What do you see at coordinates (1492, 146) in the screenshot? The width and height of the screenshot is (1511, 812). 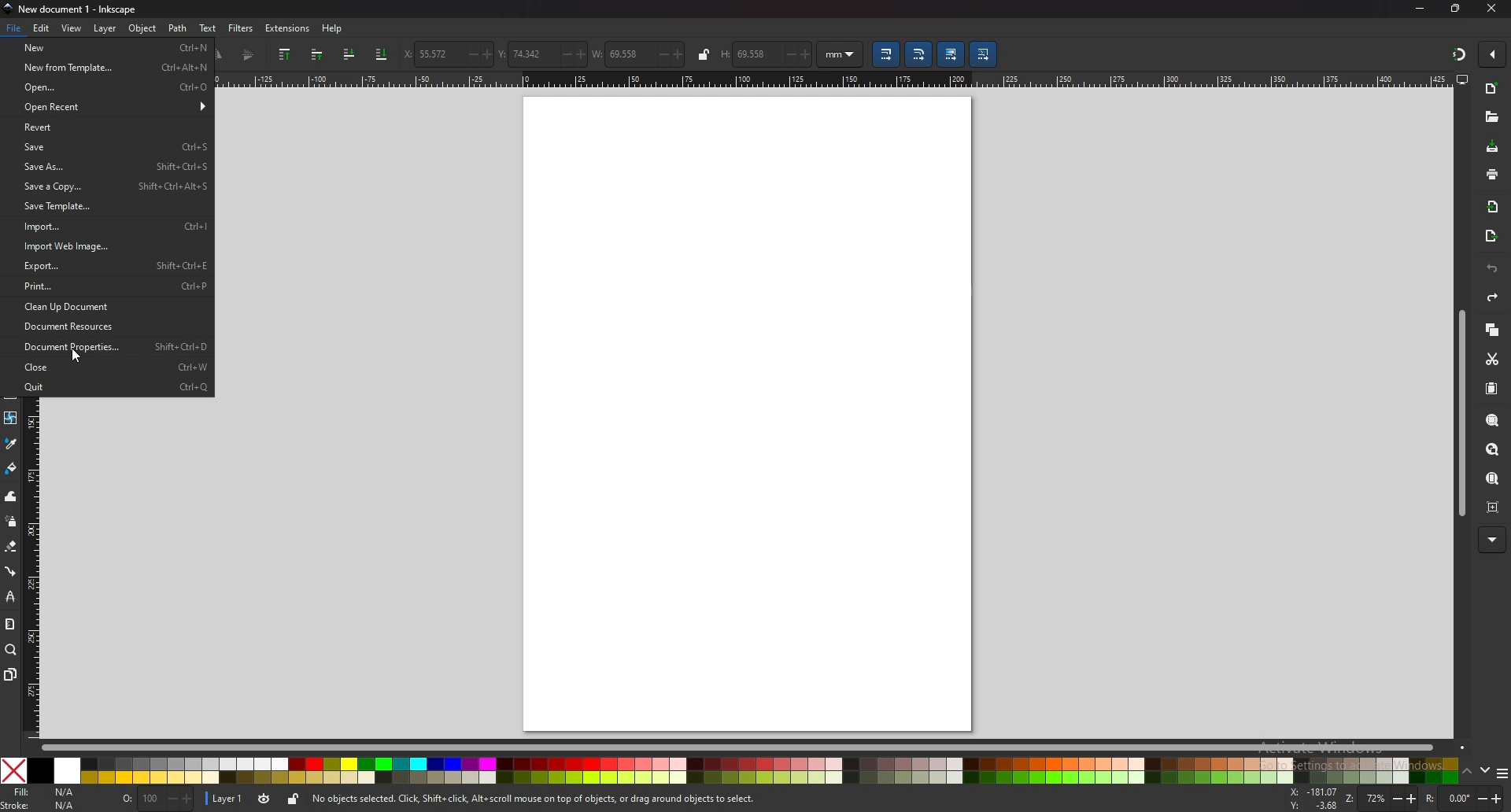 I see `save` at bounding box center [1492, 146].